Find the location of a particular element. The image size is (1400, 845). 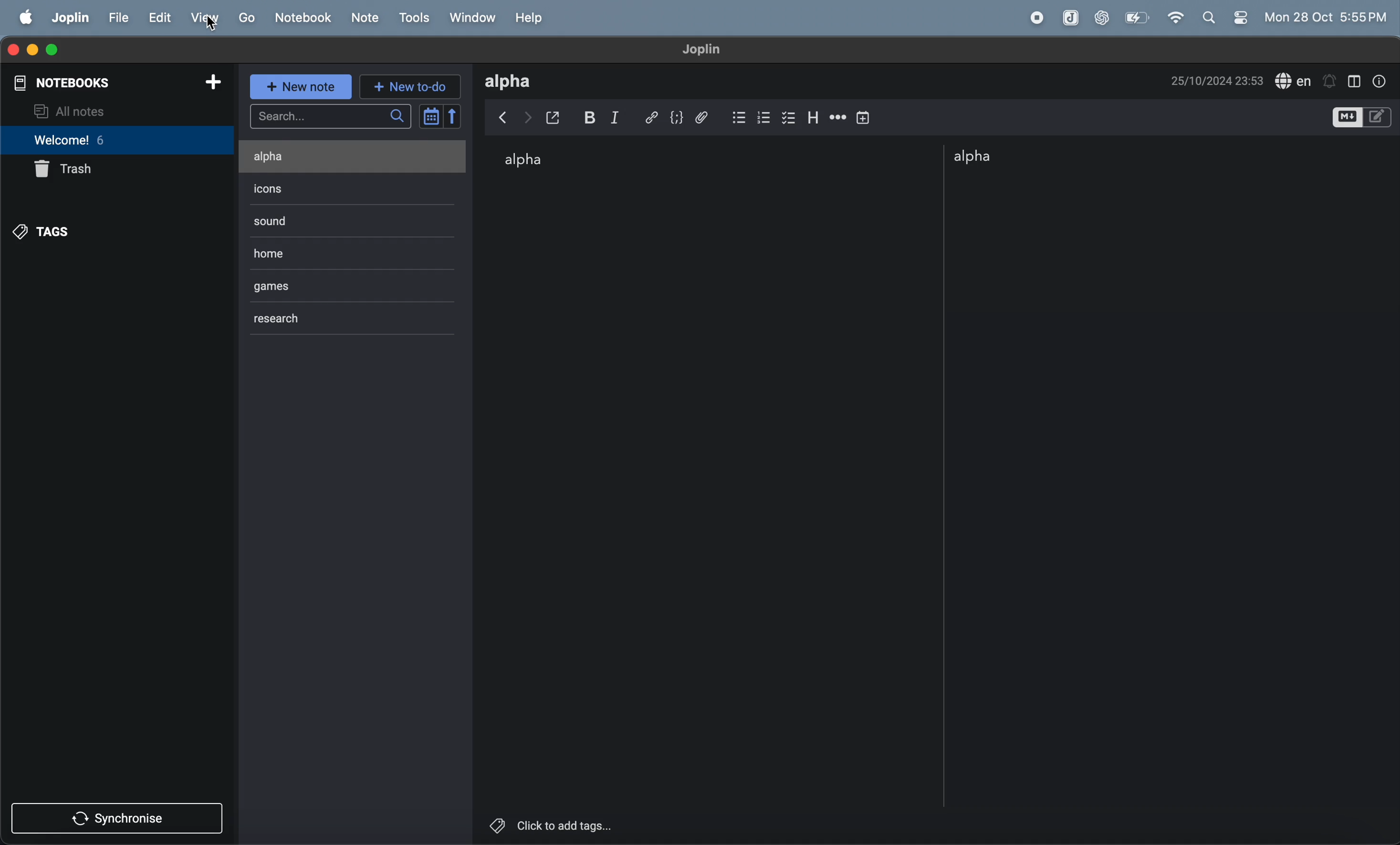

note title alpha is located at coordinates (516, 81).